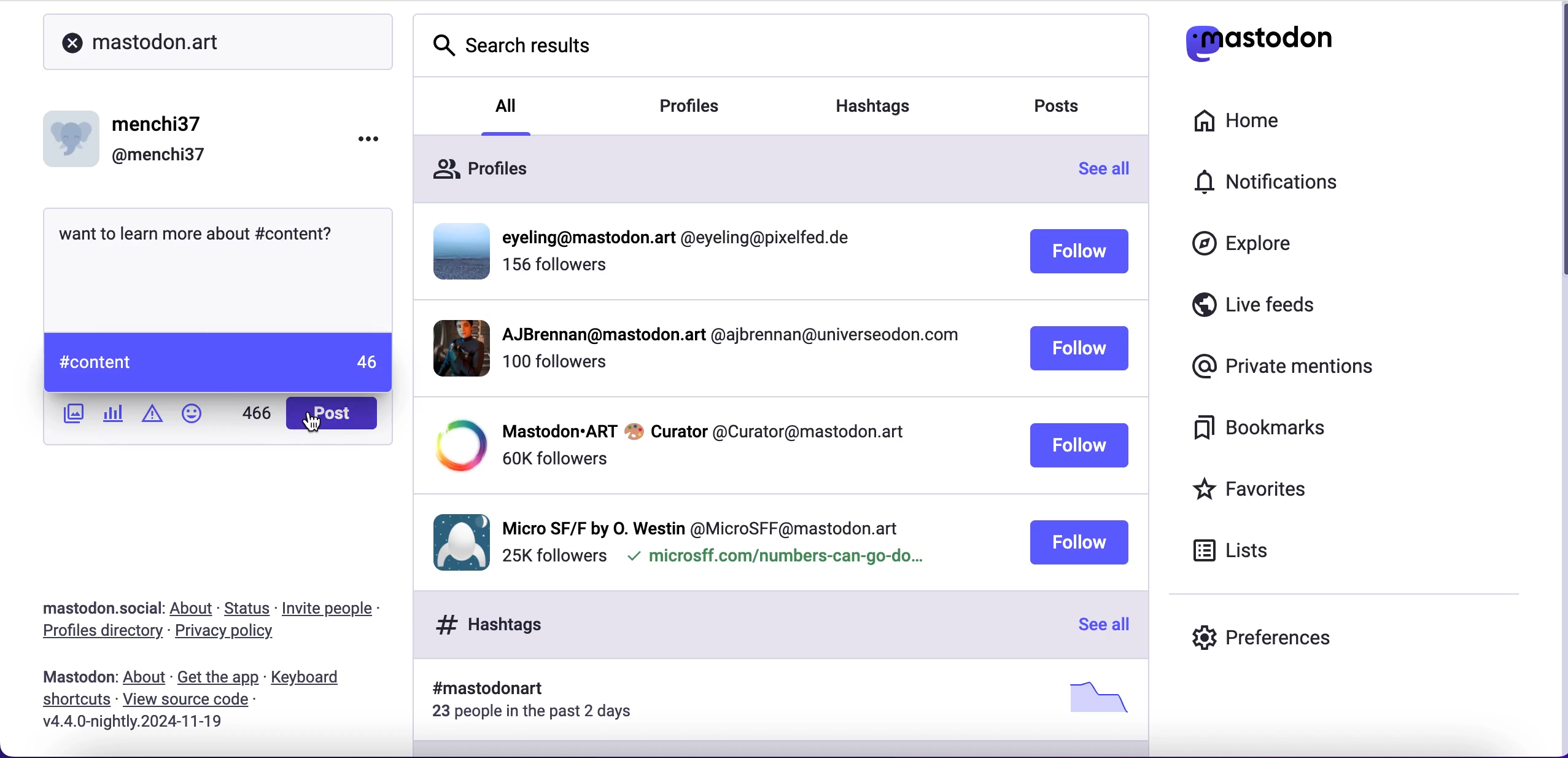 Image resolution: width=1568 pixels, height=758 pixels. What do you see at coordinates (1282, 488) in the screenshot?
I see `favorites` at bounding box center [1282, 488].